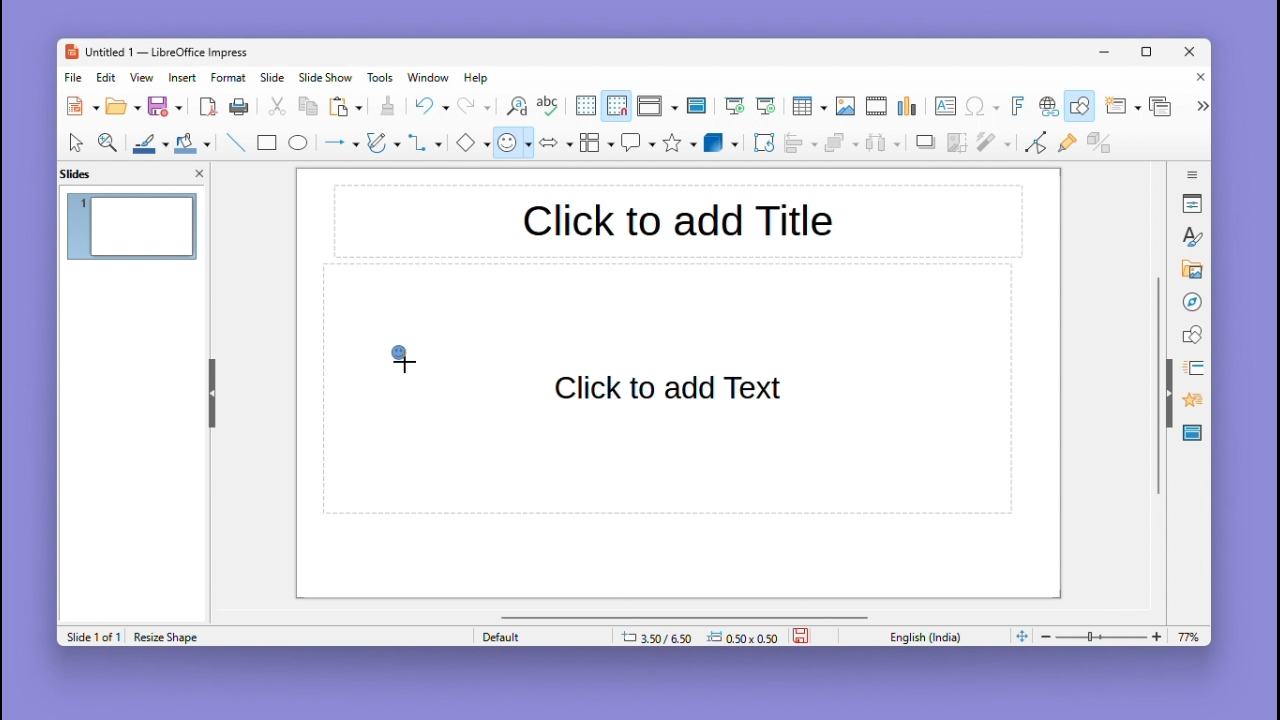  Describe the element at coordinates (383, 77) in the screenshot. I see `Tools` at that location.